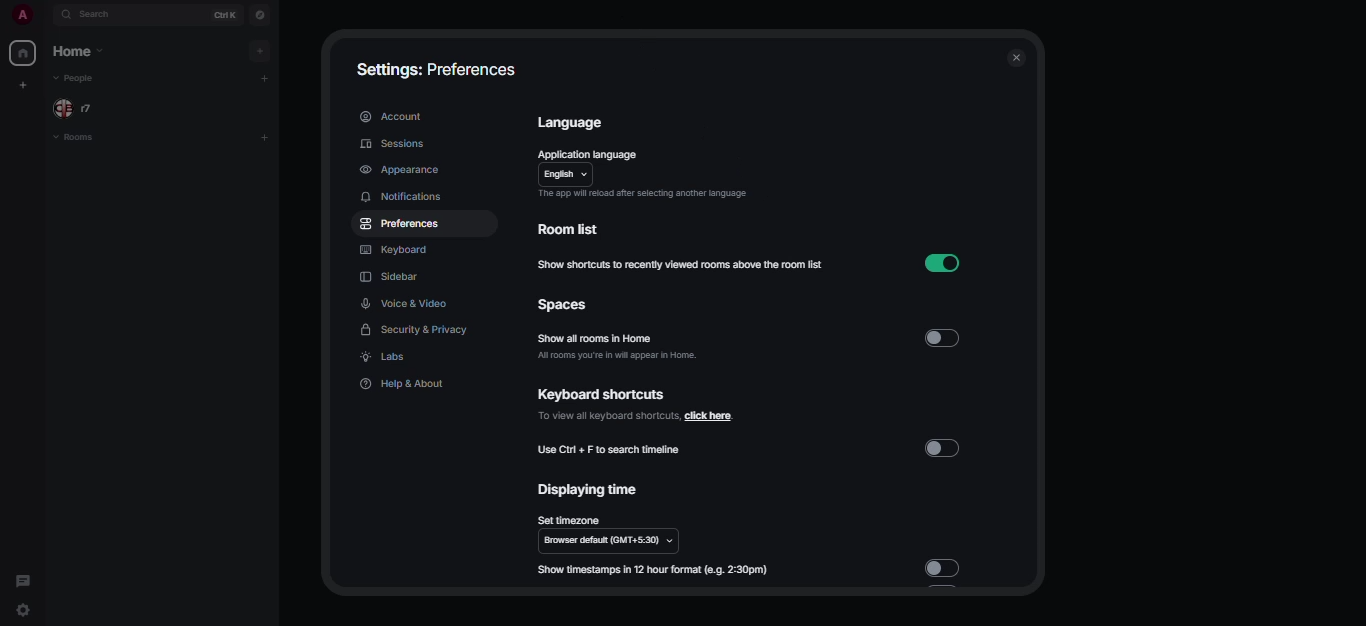 Image resolution: width=1366 pixels, height=626 pixels. I want to click on people, so click(81, 79).